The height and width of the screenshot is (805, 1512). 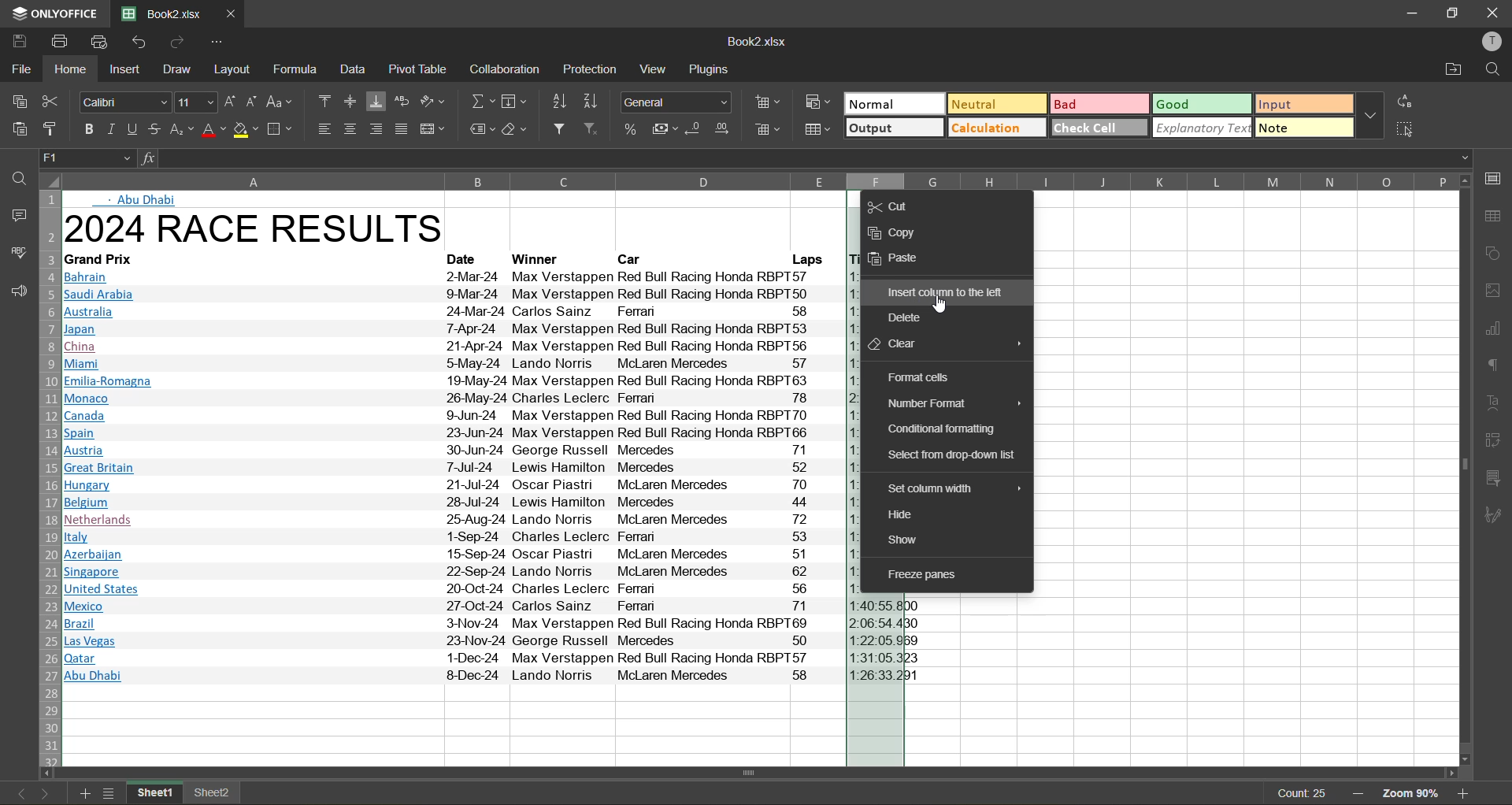 I want to click on open location, so click(x=1450, y=69).